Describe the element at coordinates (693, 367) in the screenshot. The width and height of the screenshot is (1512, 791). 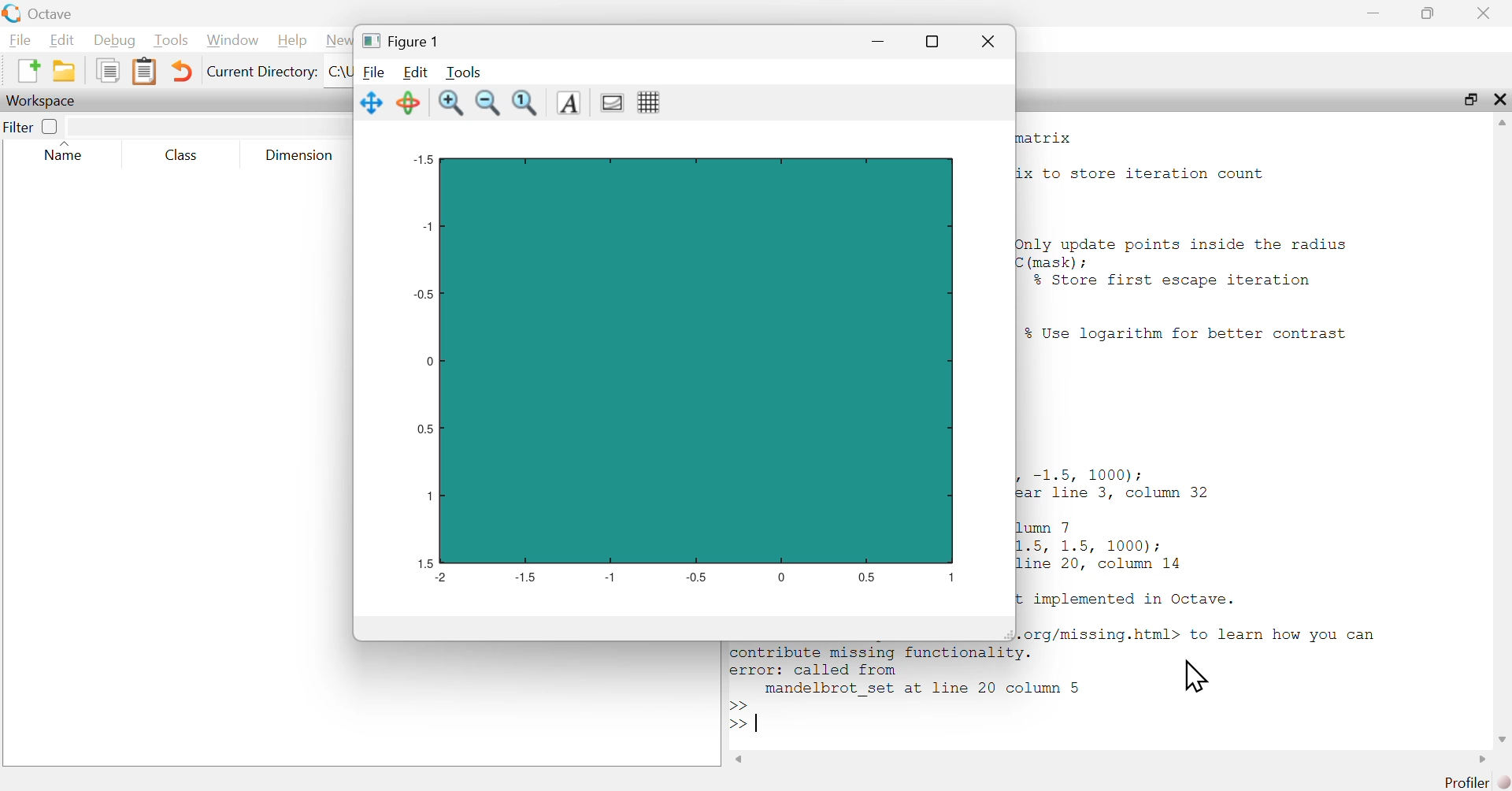
I see `Graph image` at that location.